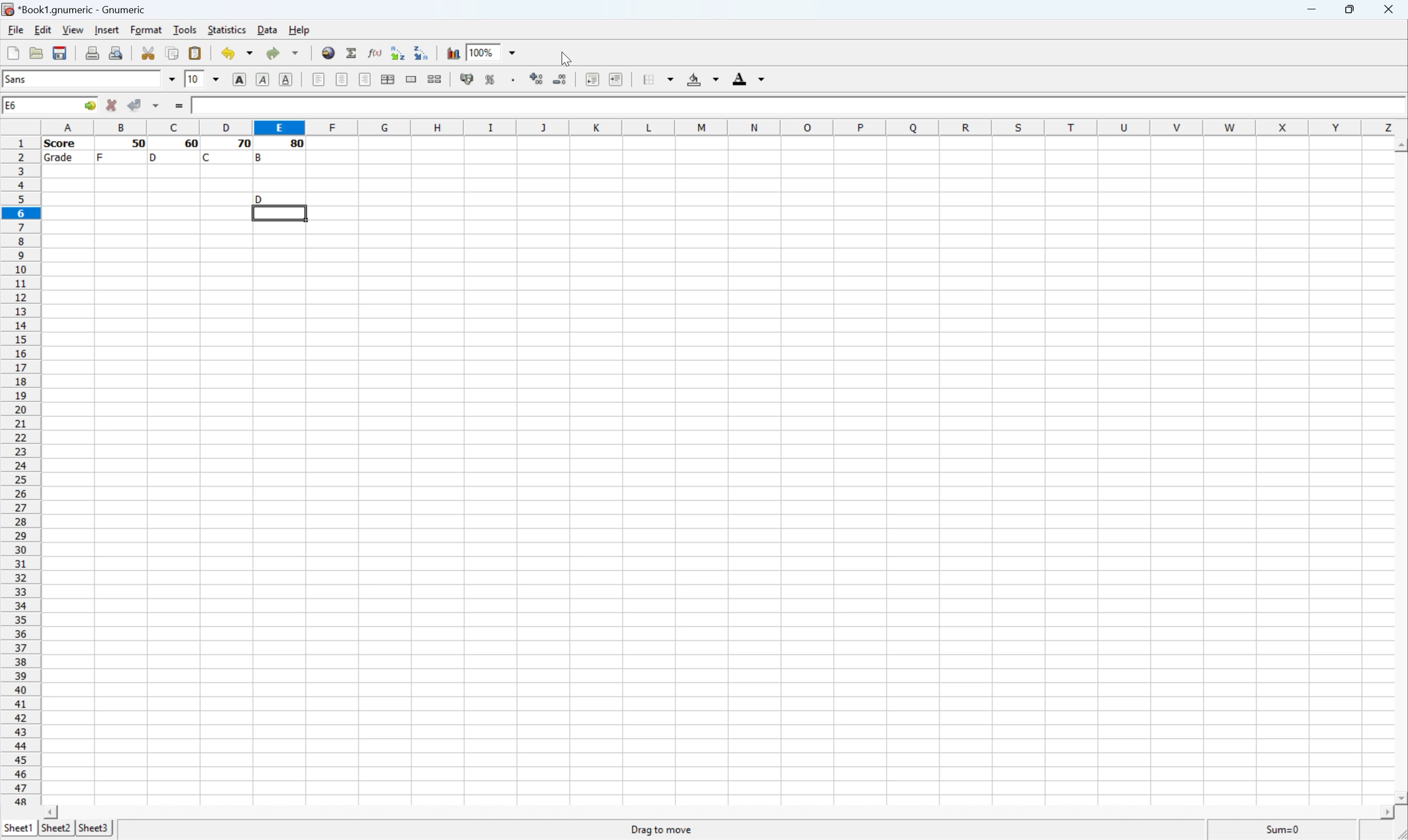  Describe the element at coordinates (277, 198) in the screenshot. I see `D` at that location.